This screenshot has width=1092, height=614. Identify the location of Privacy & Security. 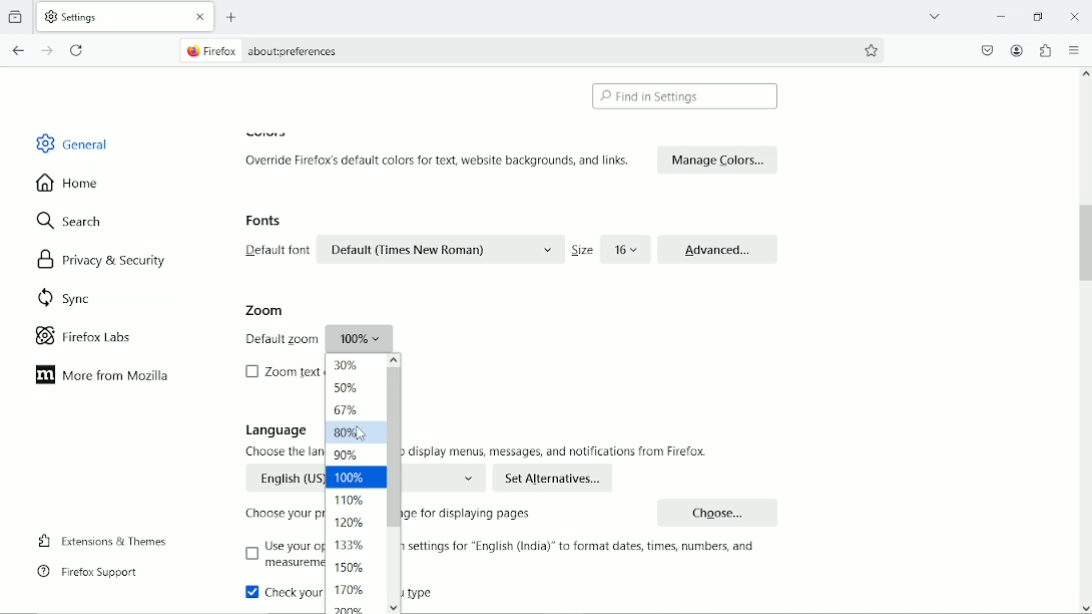
(100, 260).